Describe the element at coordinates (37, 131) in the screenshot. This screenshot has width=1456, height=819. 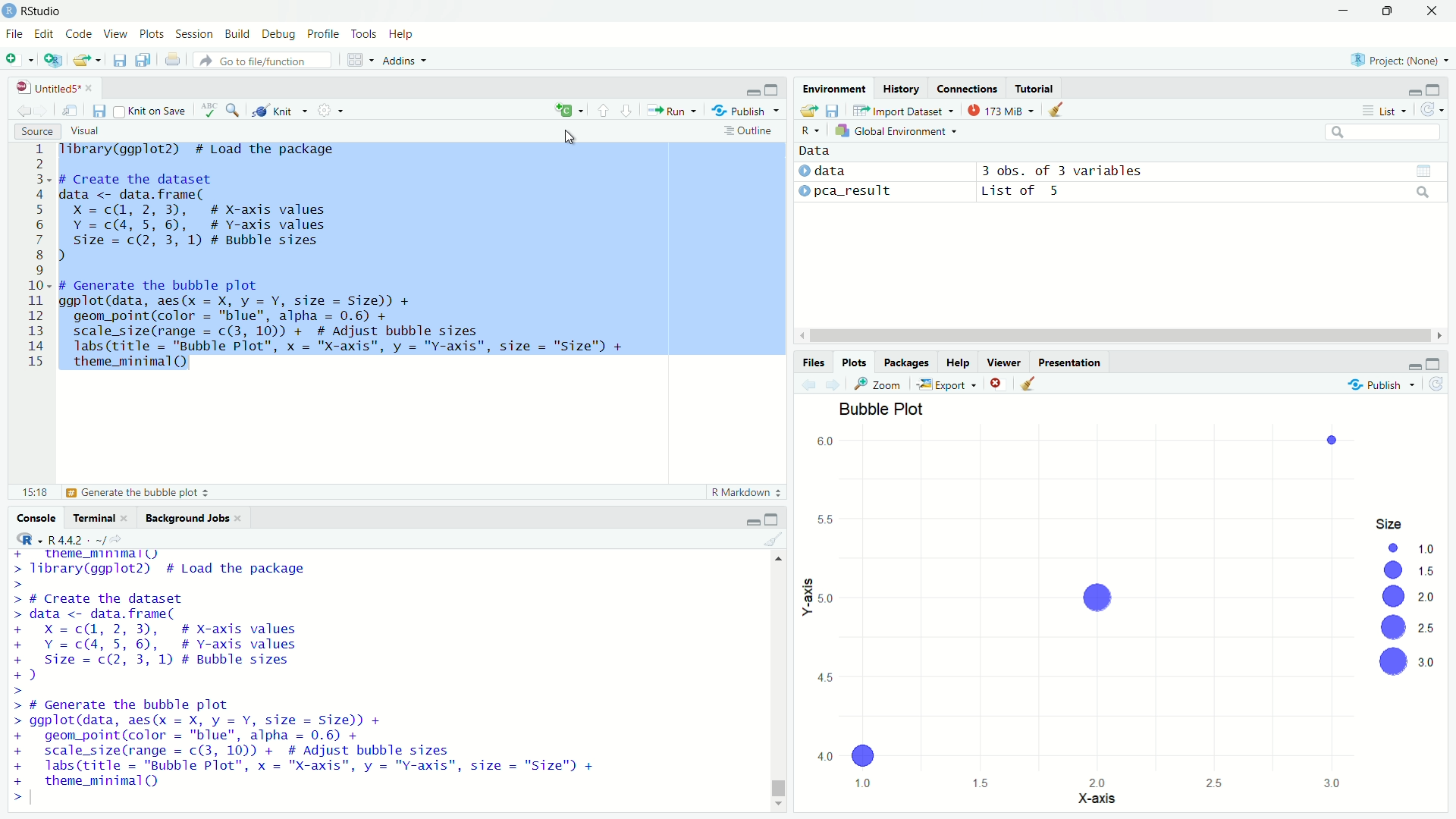
I see `source` at that location.